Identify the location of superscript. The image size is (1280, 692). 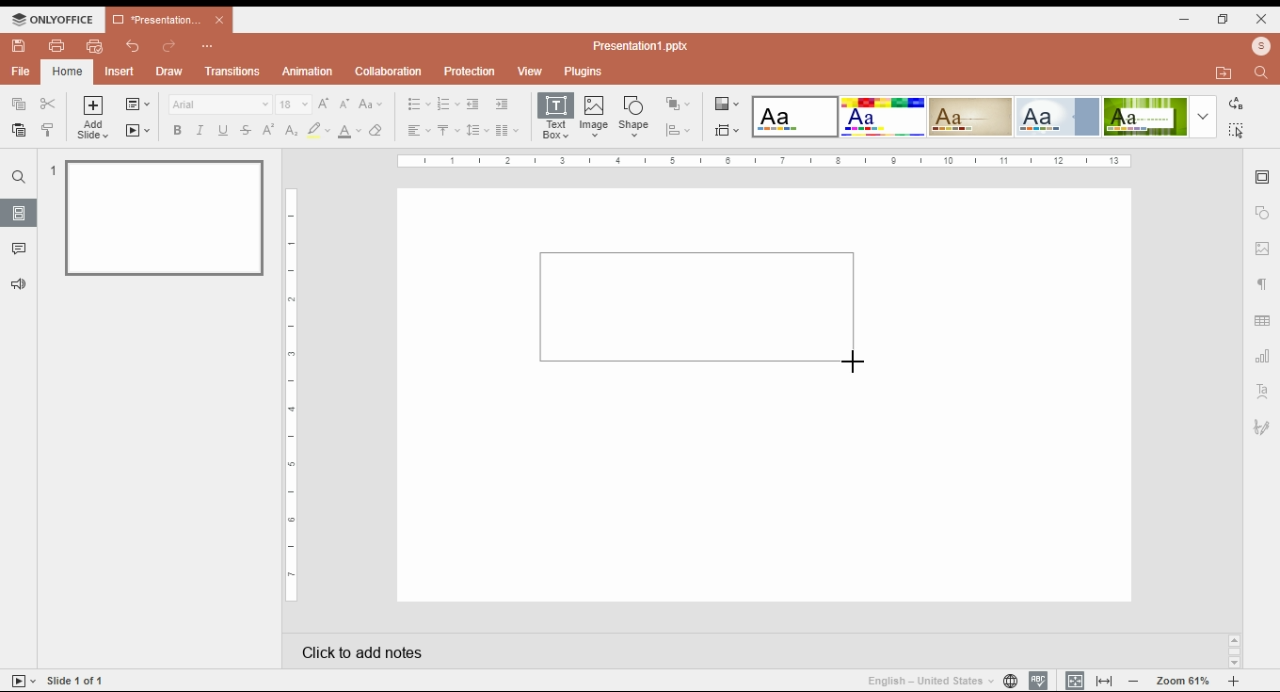
(268, 130).